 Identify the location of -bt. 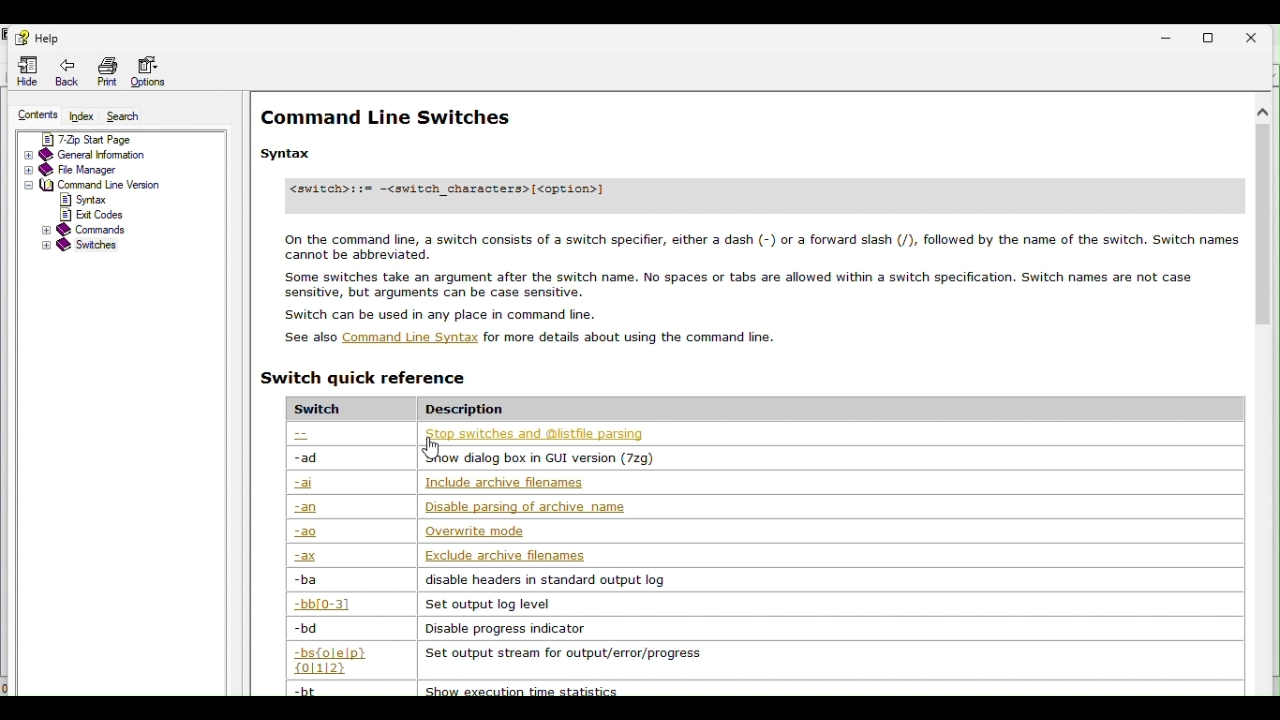
(307, 690).